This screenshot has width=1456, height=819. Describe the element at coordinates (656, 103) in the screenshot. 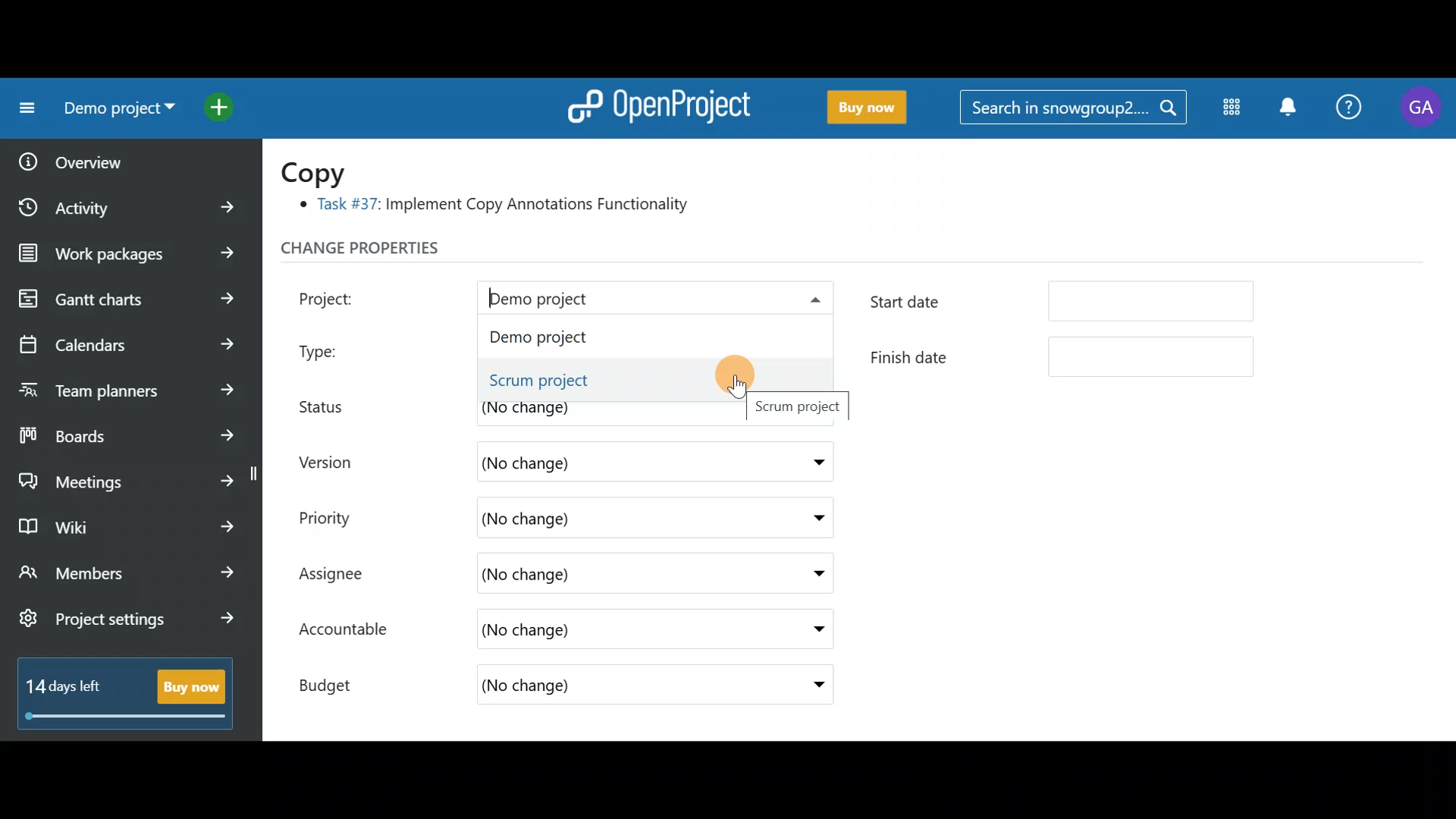

I see `OpenProject` at that location.